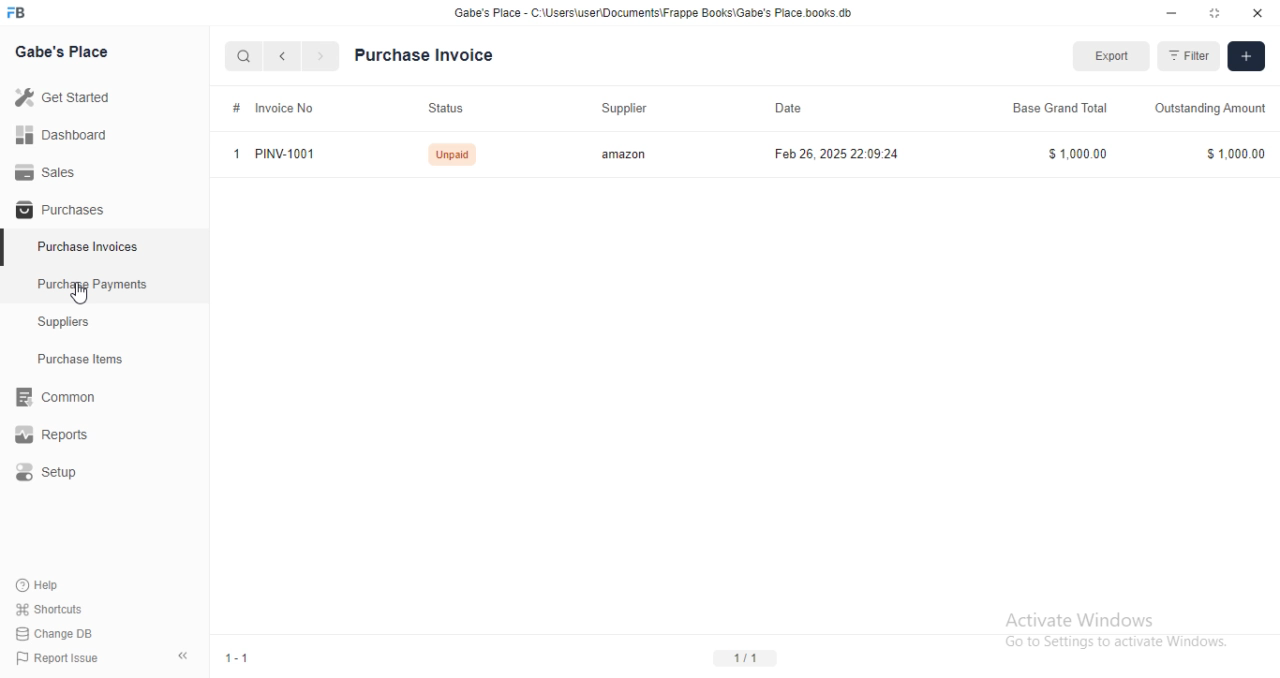 The height and width of the screenshot is (678, 1280). Describe the element at coordinates (61, 135) in the screenshot. I see `Dashboard` at that location.